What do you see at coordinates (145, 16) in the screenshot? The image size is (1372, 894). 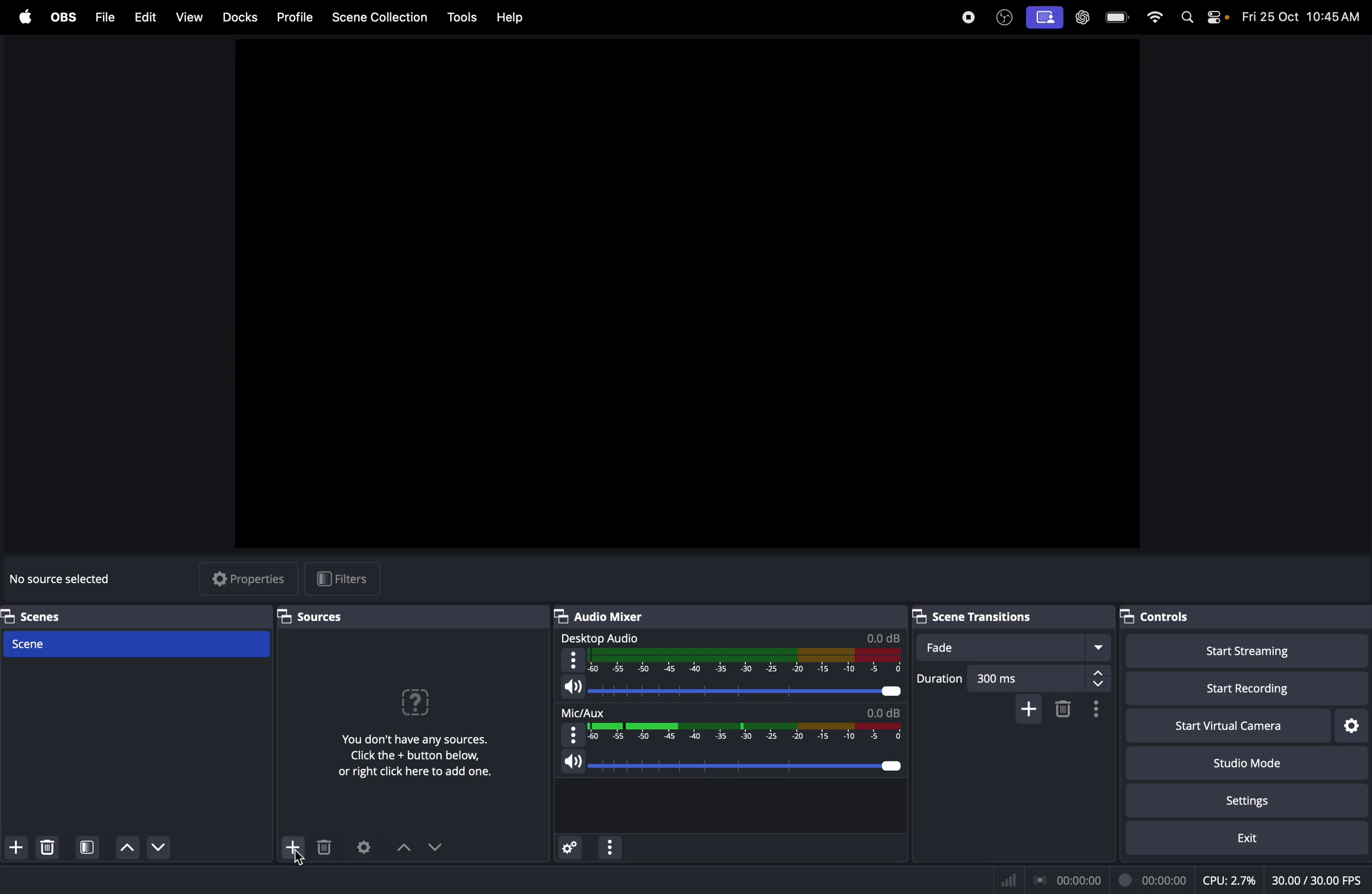 I see `Edit` at bounding box center [145, 16].